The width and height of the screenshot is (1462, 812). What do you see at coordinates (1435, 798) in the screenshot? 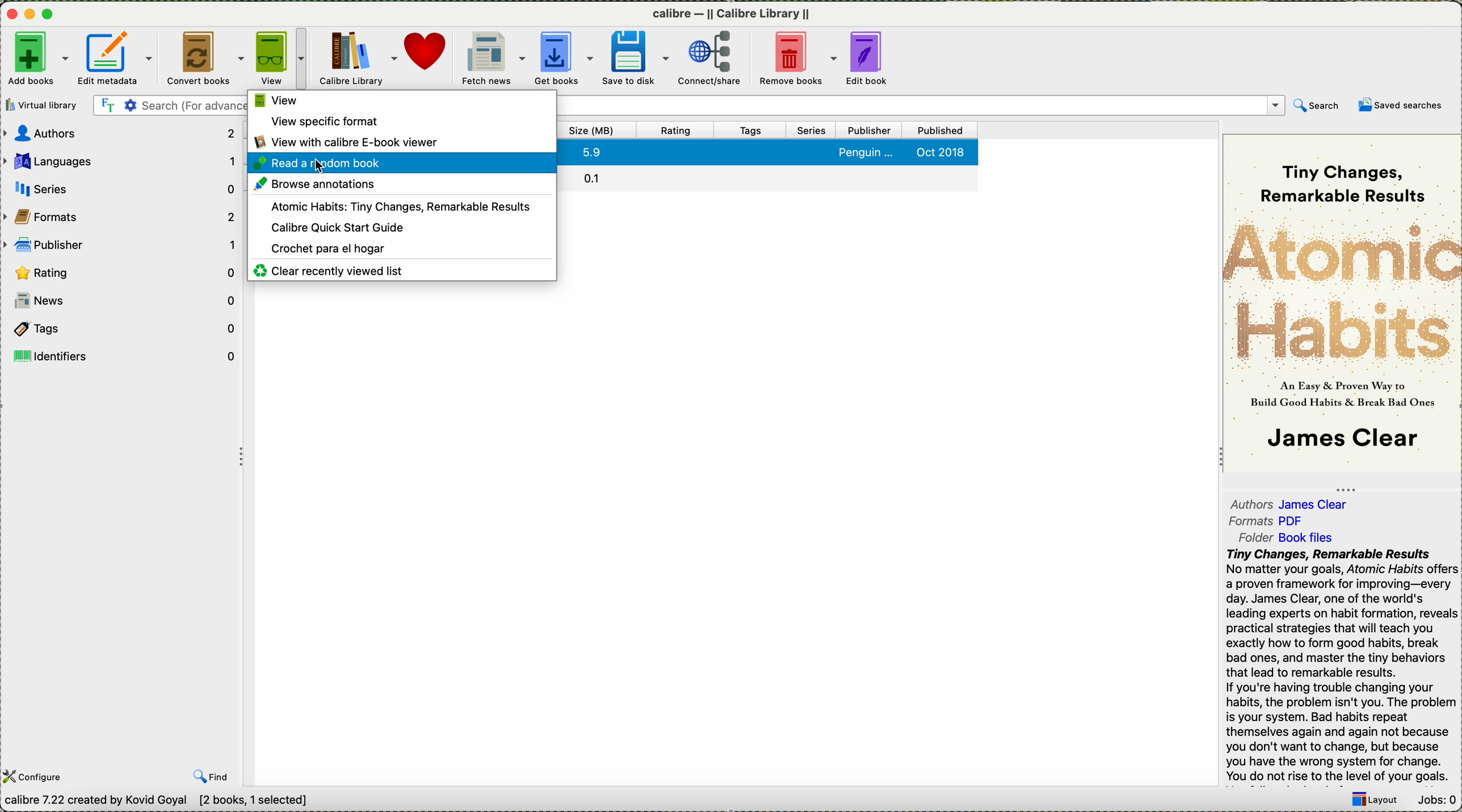
I see `Jobs: 0` at bounding box center [1435, 798].